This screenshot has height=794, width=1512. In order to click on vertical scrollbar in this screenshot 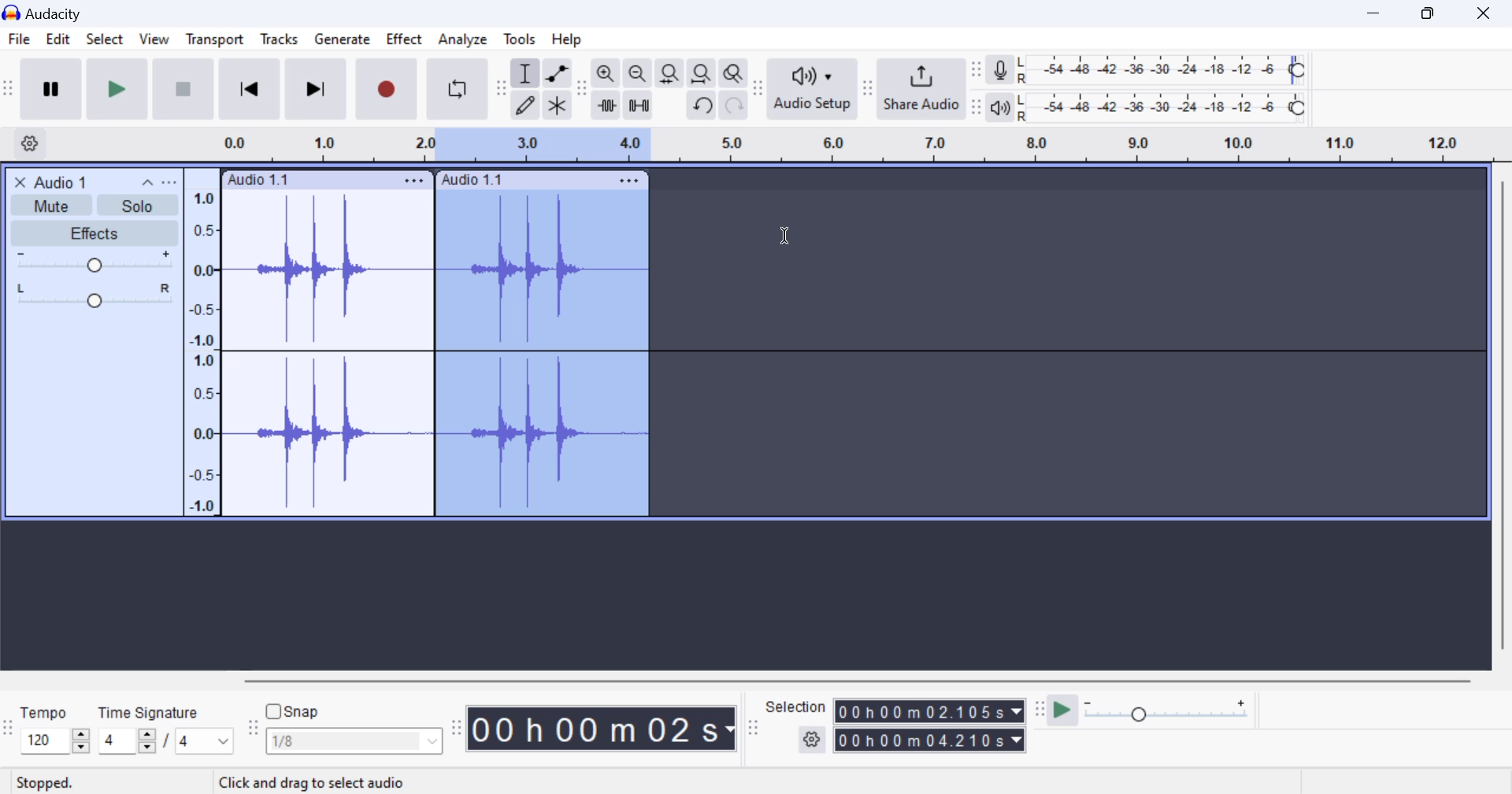, I will do `click(1501, 421)`.